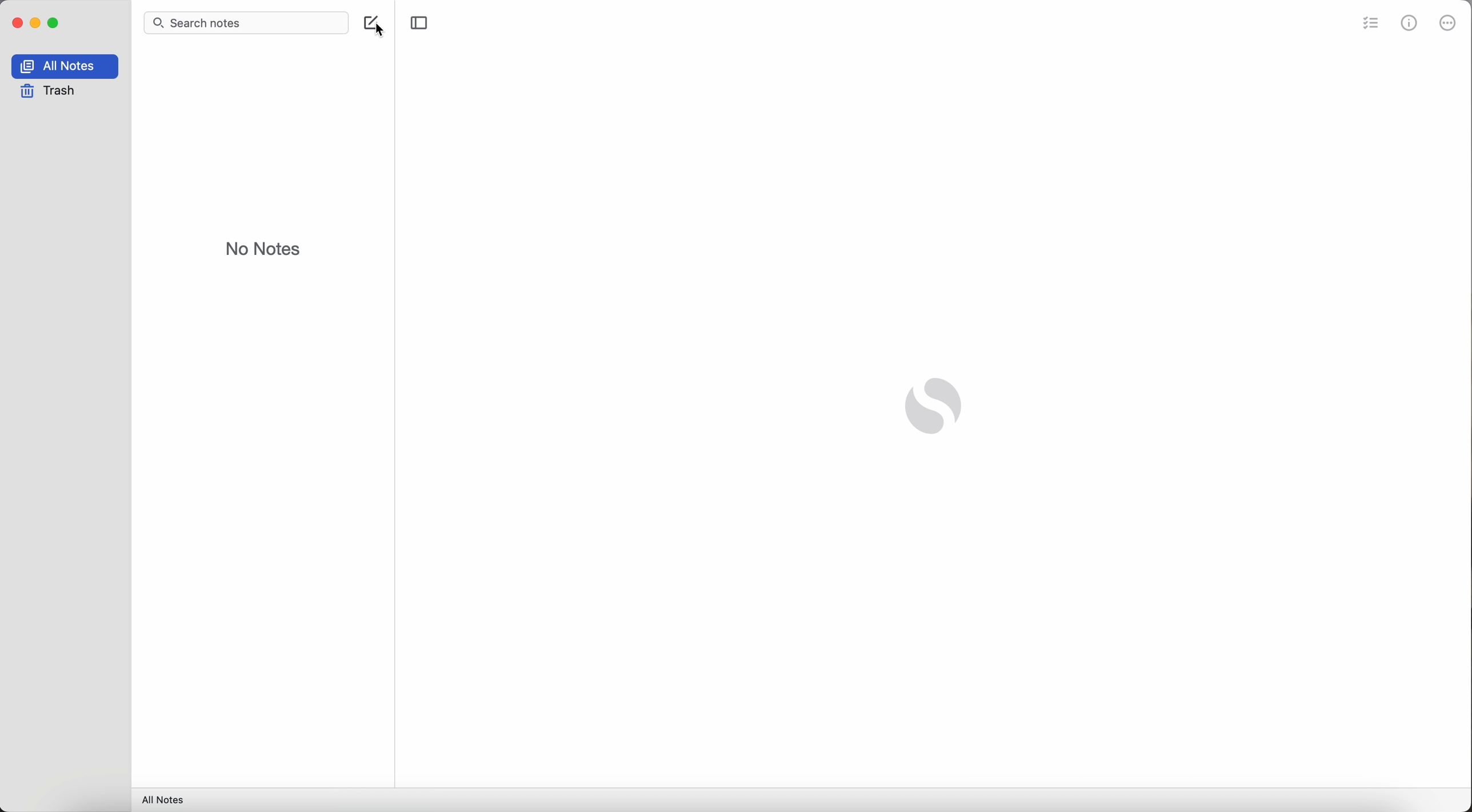 This screenshot has width=1472, height=812. I want to click on toggle sidebar, so click(419, 23).